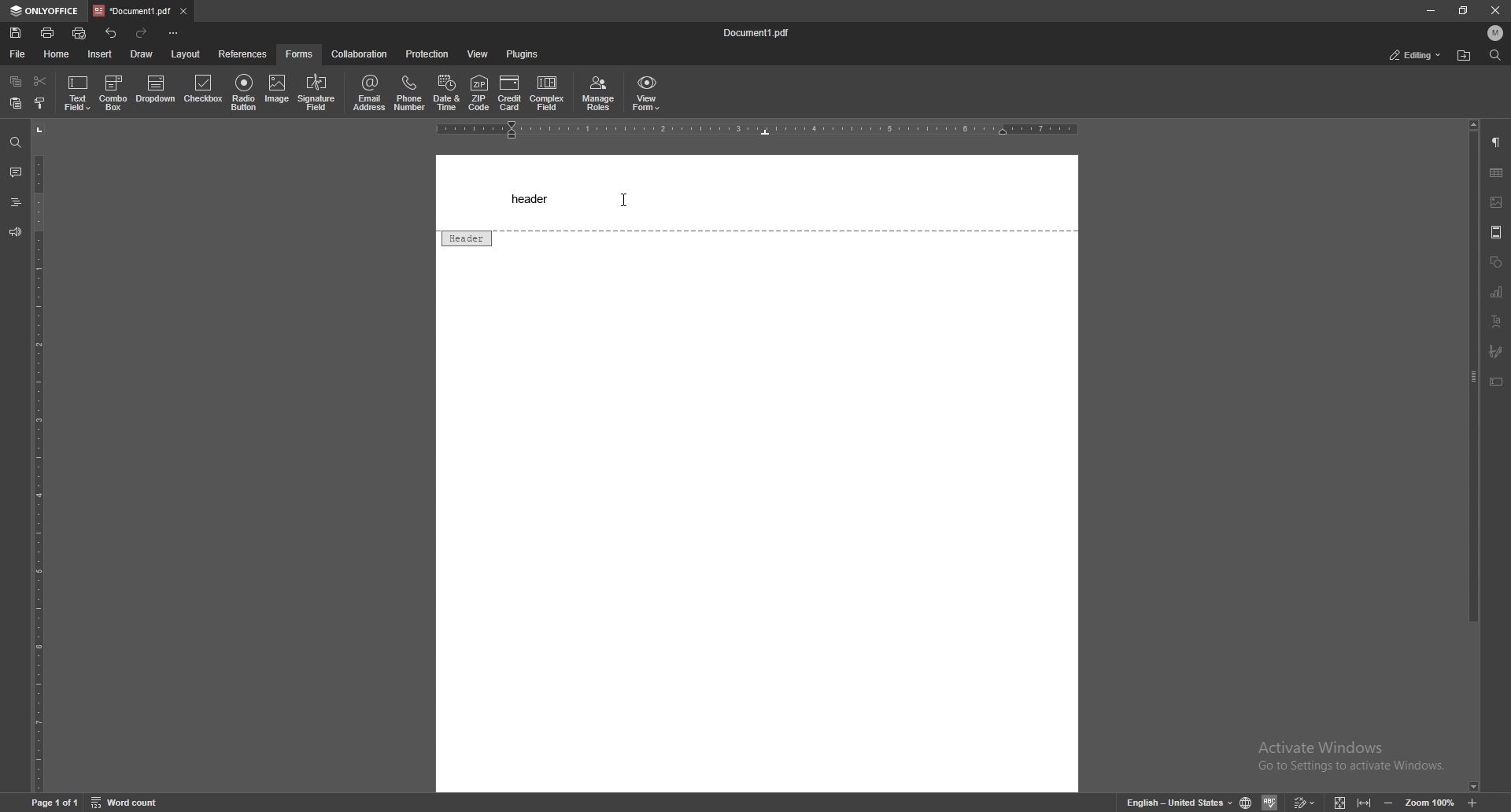 This screenshot has width=1511, height=812. What do you see at coordinates (82, 32) in the screenshot?
I see `quick print` at bounding box center [82, 32].